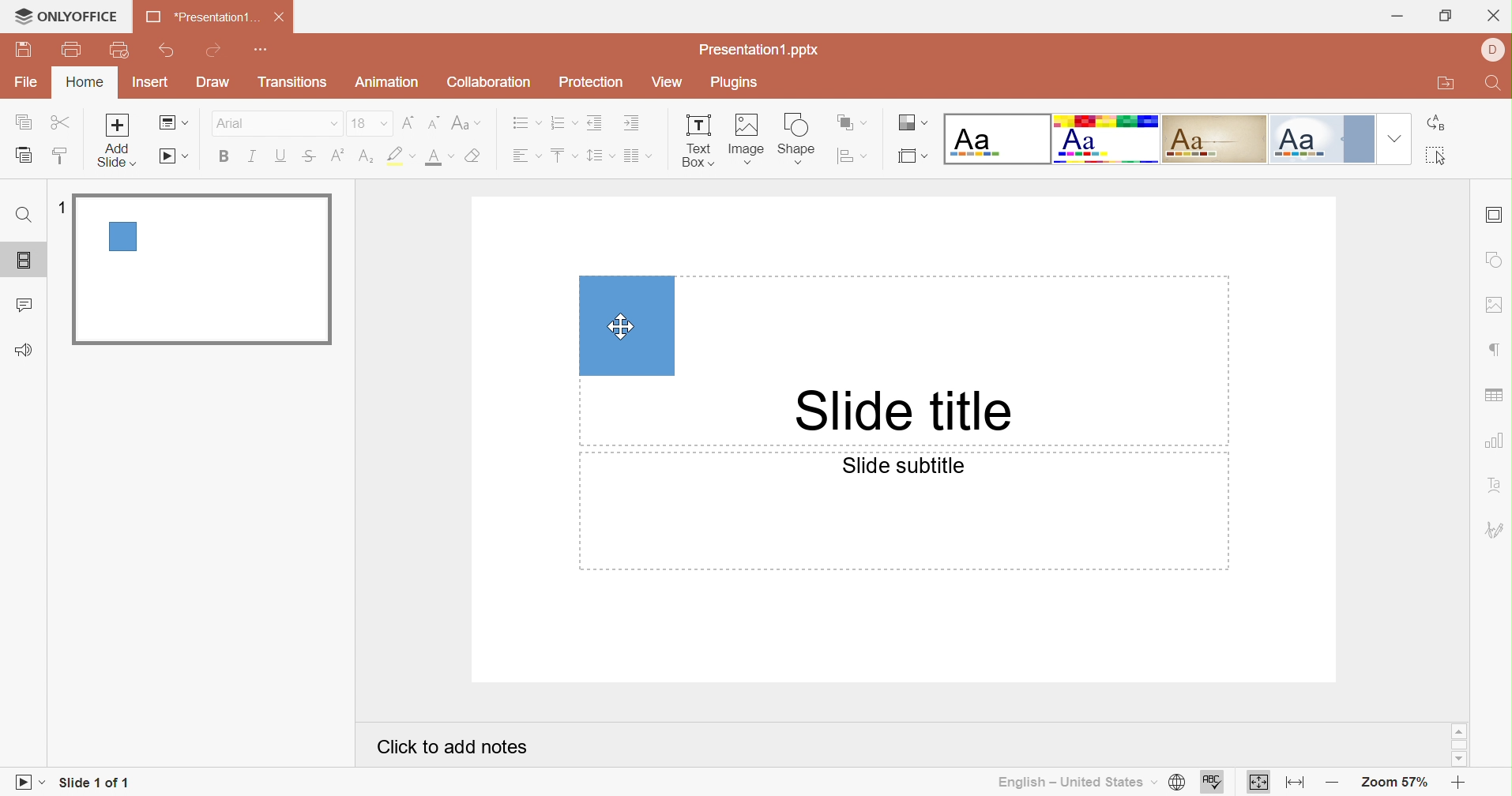  What do you see at coordinates (27, 784) in the screenshot?
I see `Start slideshow` at bounding box center [27, 784].